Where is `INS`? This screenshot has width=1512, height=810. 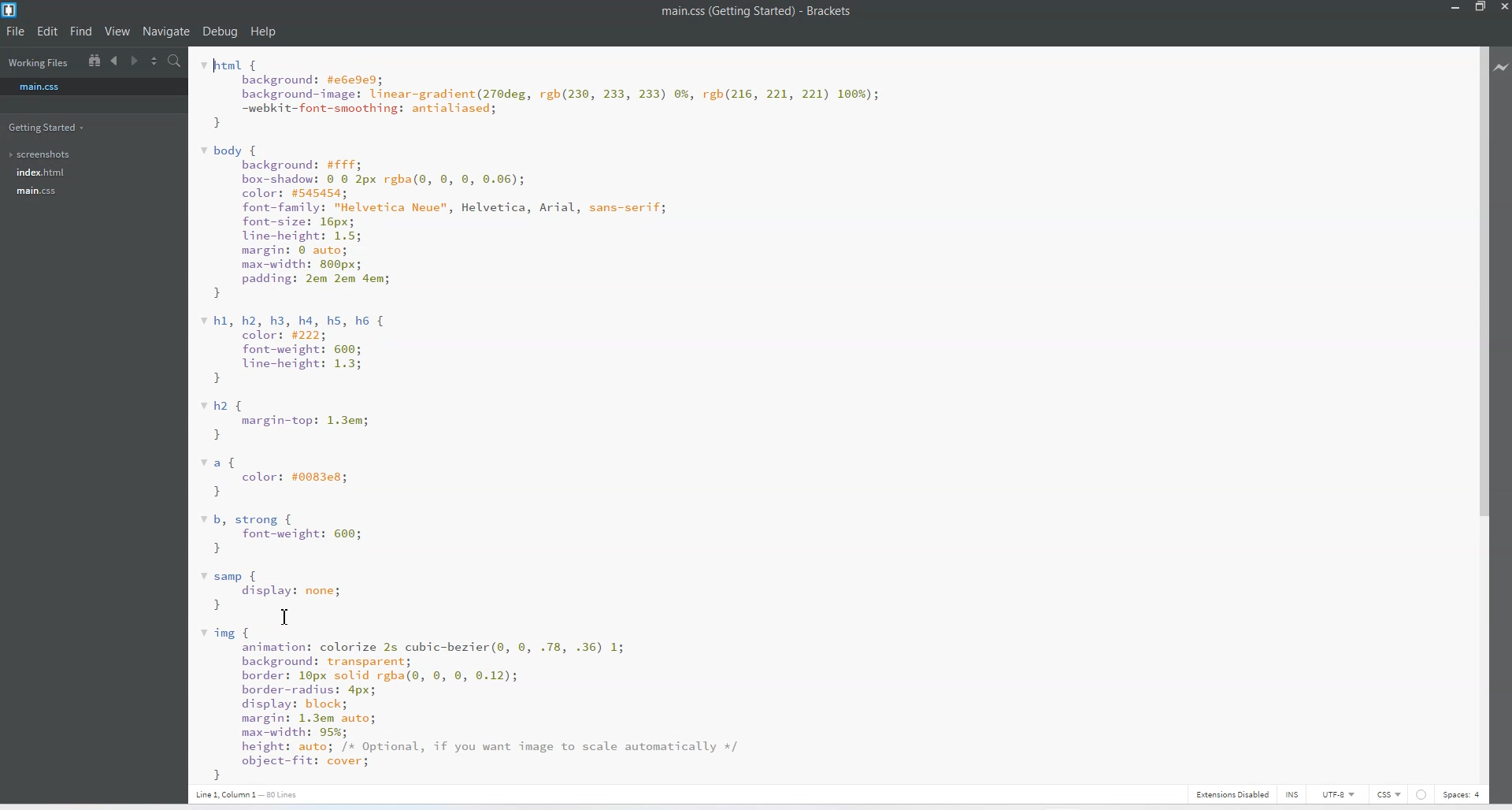
INS is located at coordinates (1284, 793).